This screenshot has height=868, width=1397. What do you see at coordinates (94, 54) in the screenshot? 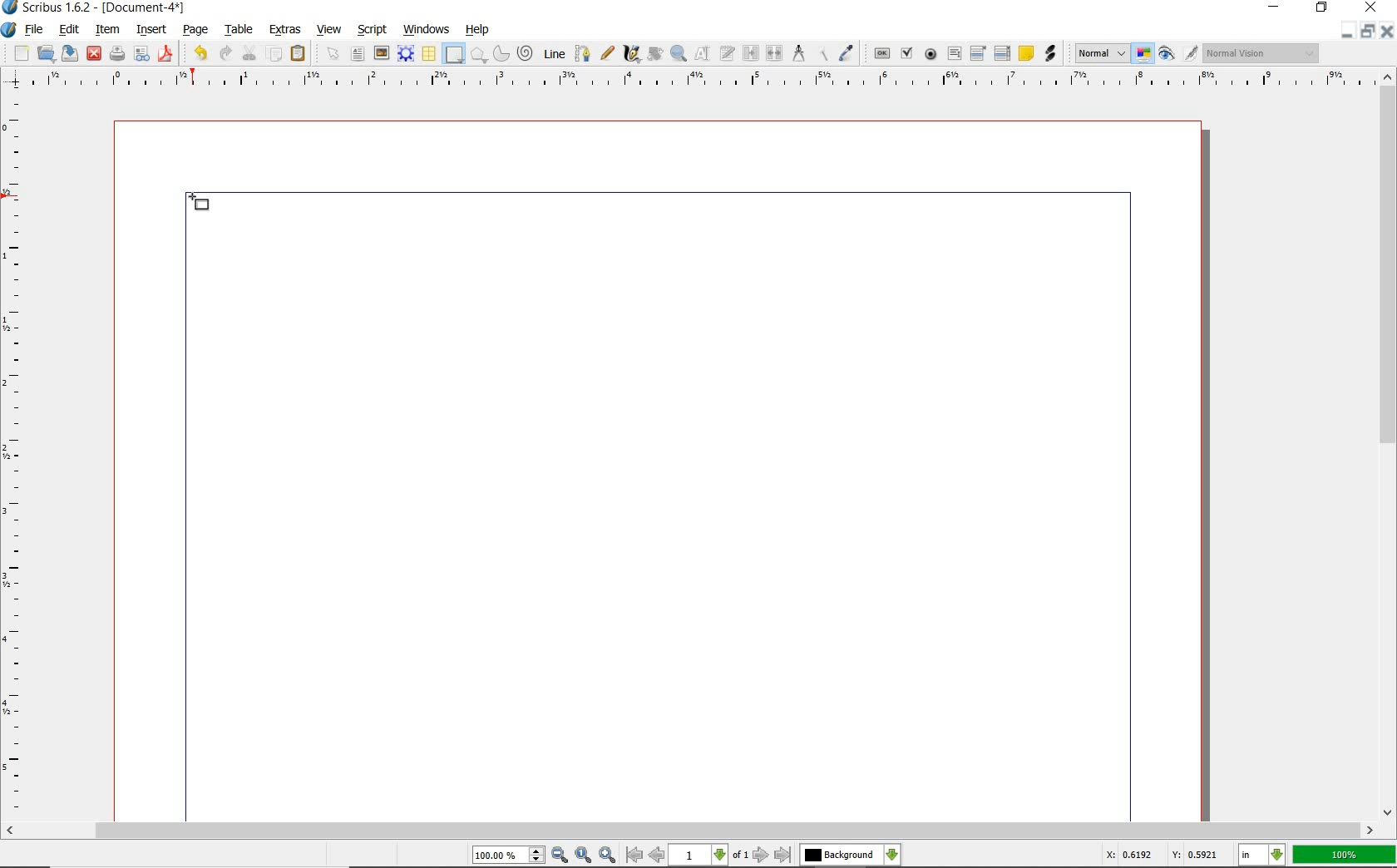
I see `close` at bounding box center [94, 54].